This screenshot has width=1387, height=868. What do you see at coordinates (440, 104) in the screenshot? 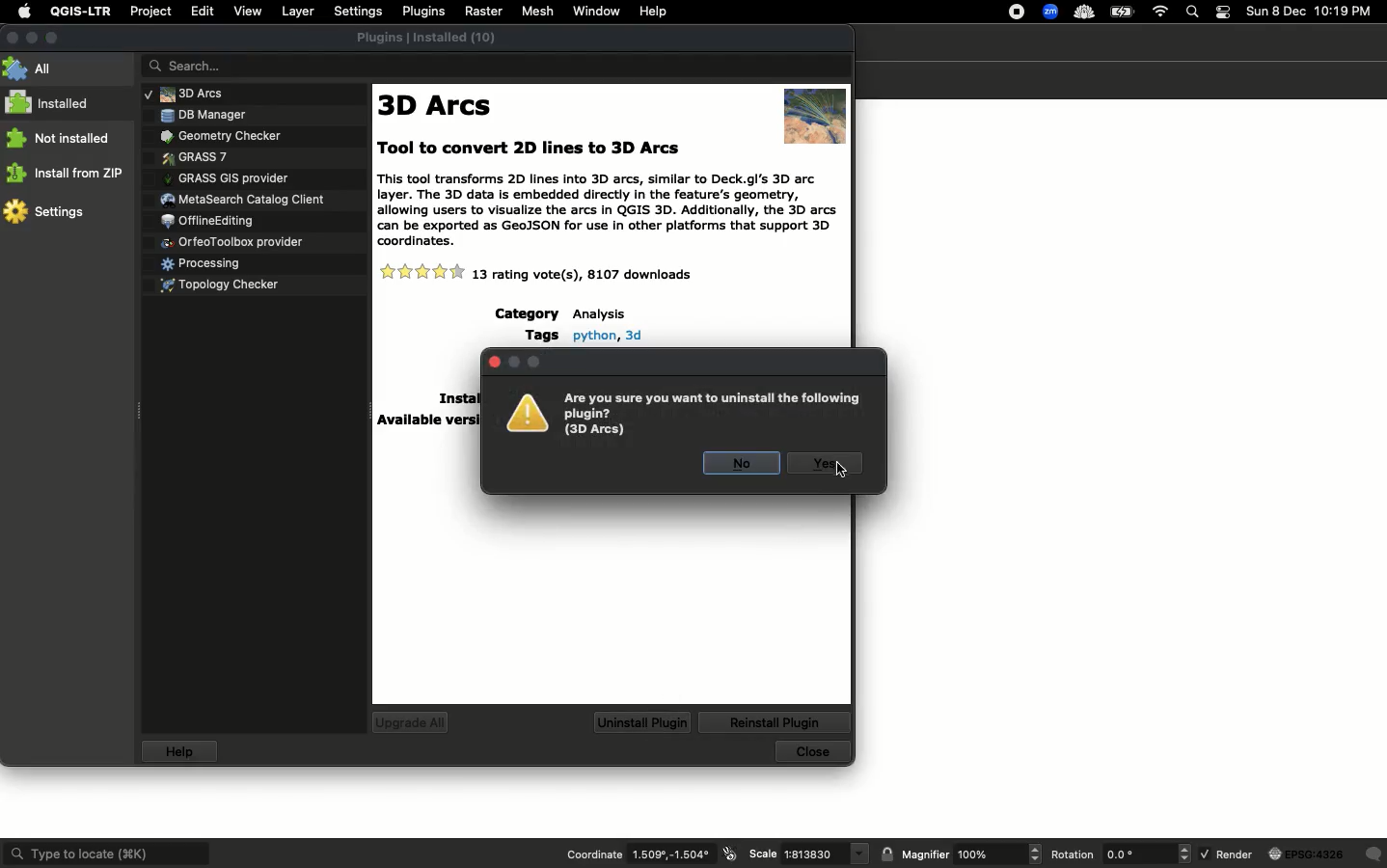
I see `3D Arcs` at bounding box center [440, 104].